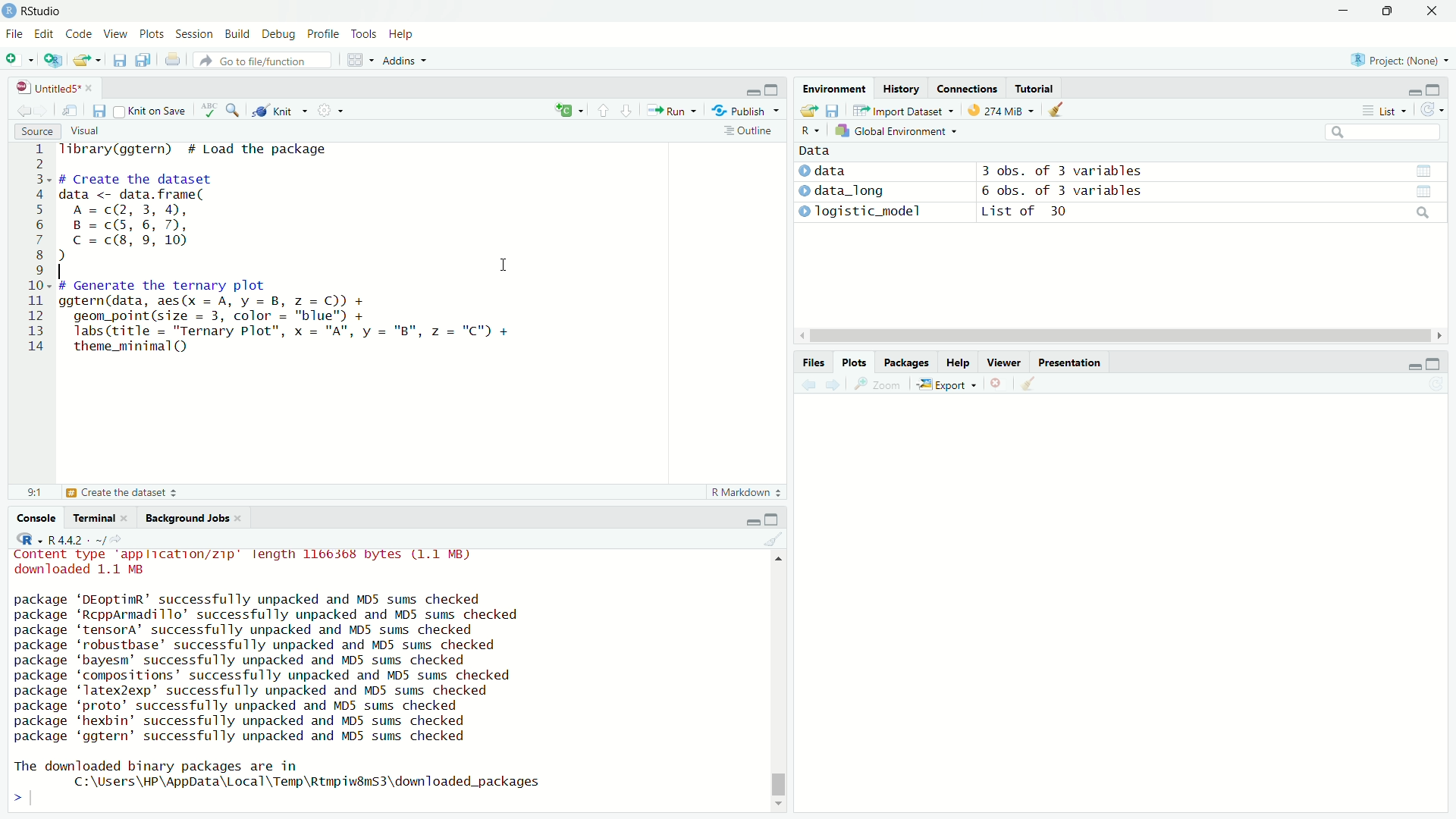 The image size is (1456, 819). Describe the element at coordinates (1386, 11) in the screenshot. I see `maximise` at that location.